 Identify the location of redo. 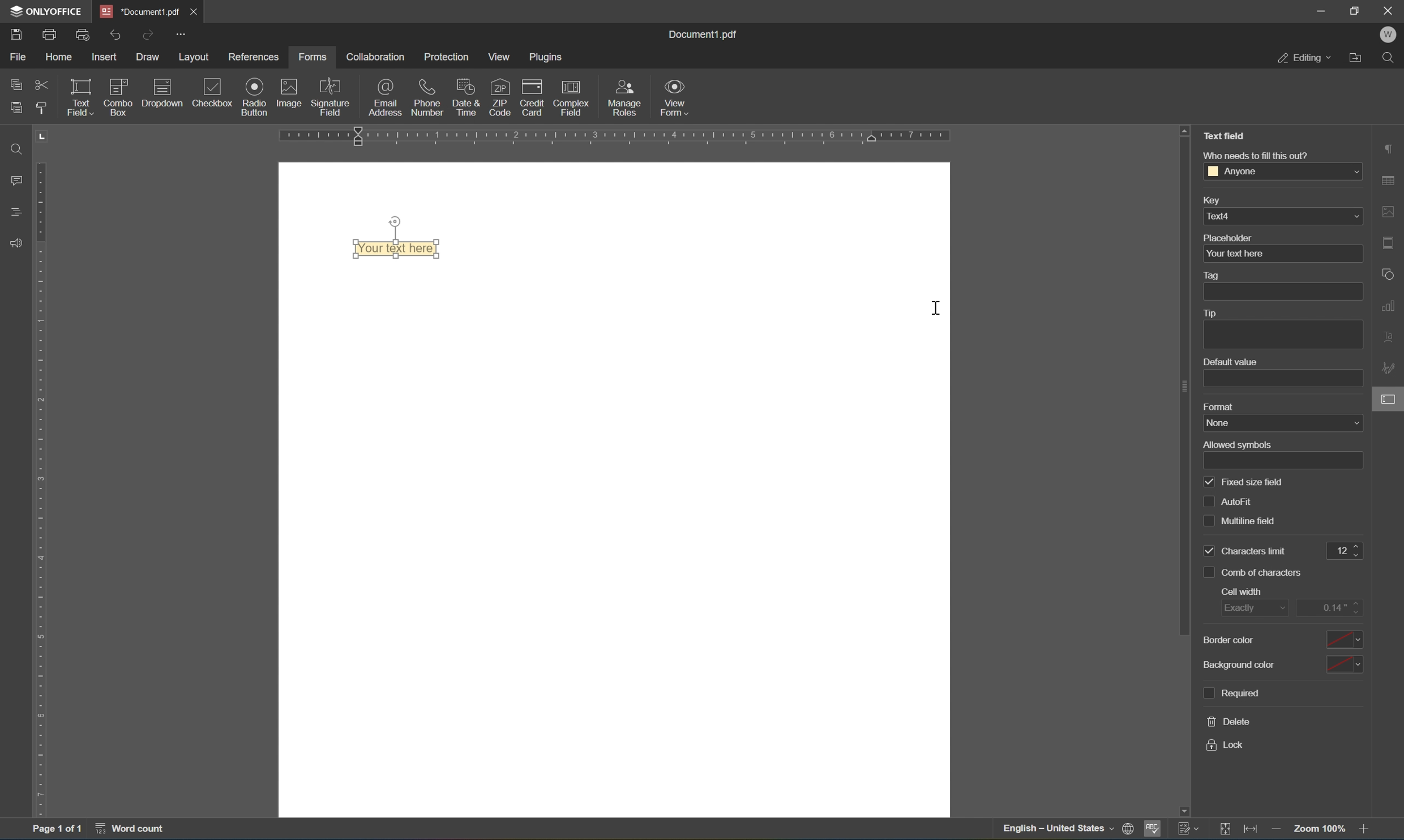
(146, 36).